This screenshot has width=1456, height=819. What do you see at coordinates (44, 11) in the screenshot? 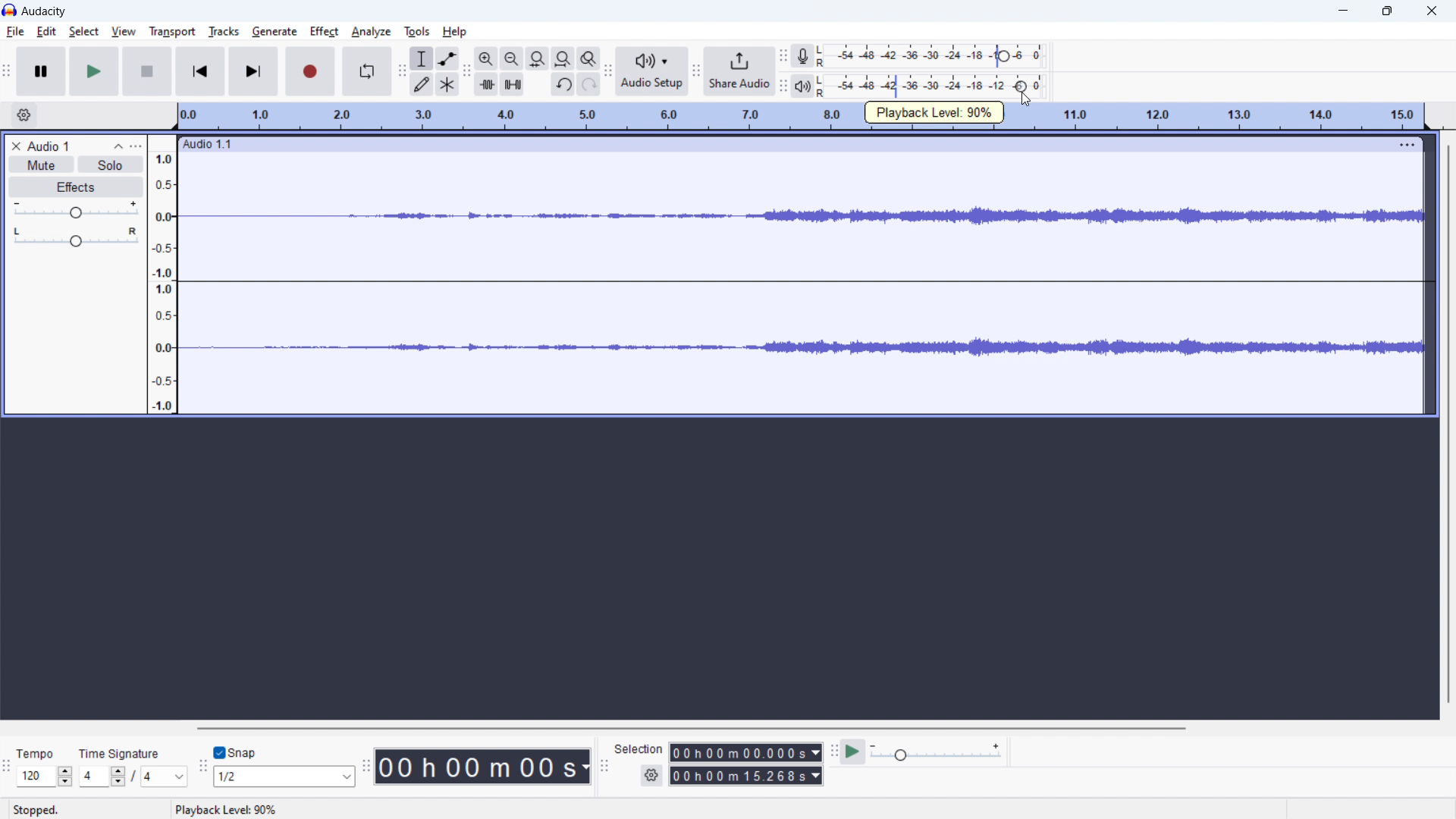
I see `audacity` at bounding box center [44, 11].